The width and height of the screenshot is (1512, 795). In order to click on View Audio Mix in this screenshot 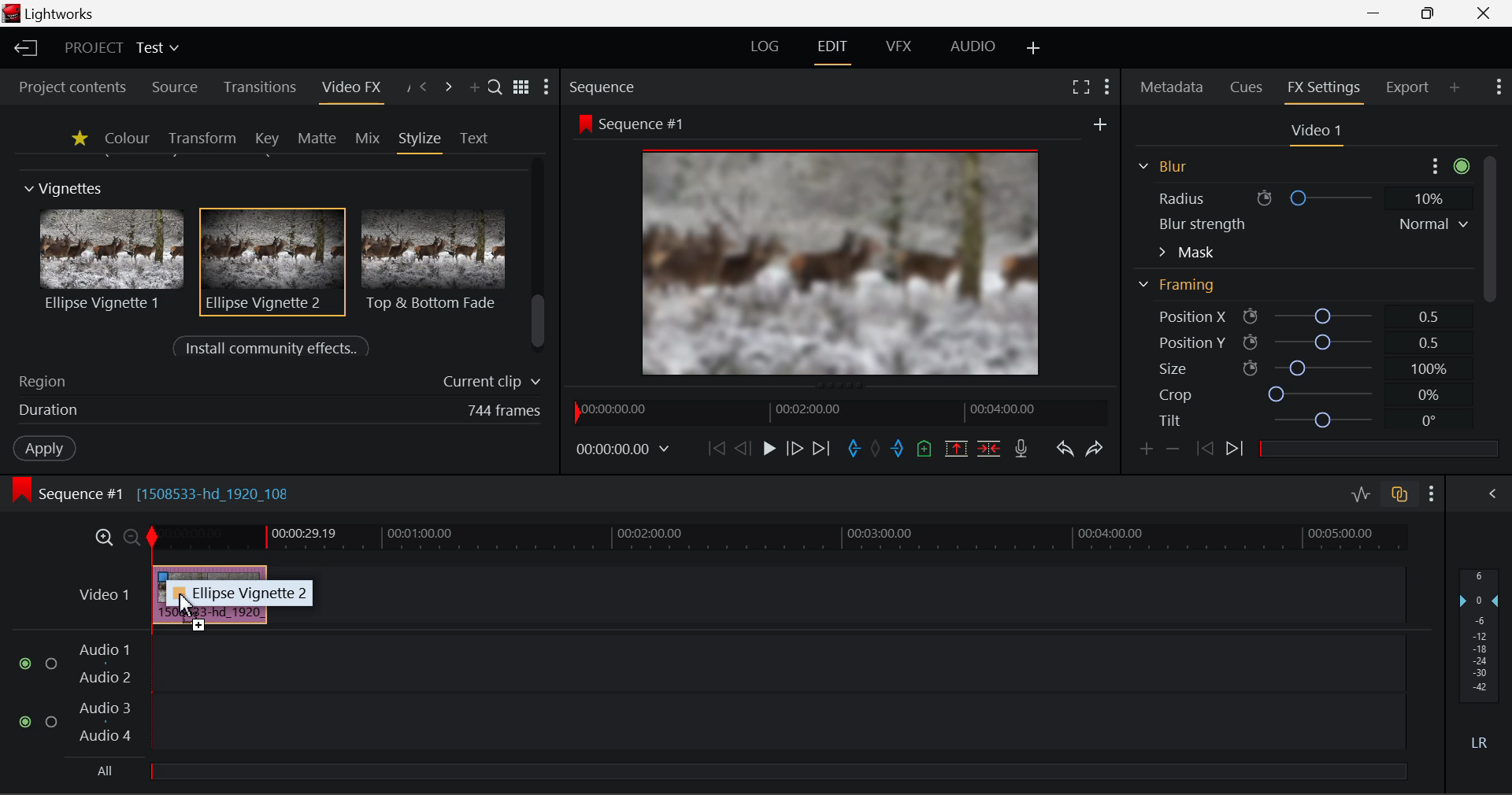, I will do `click(1493, 492)`.